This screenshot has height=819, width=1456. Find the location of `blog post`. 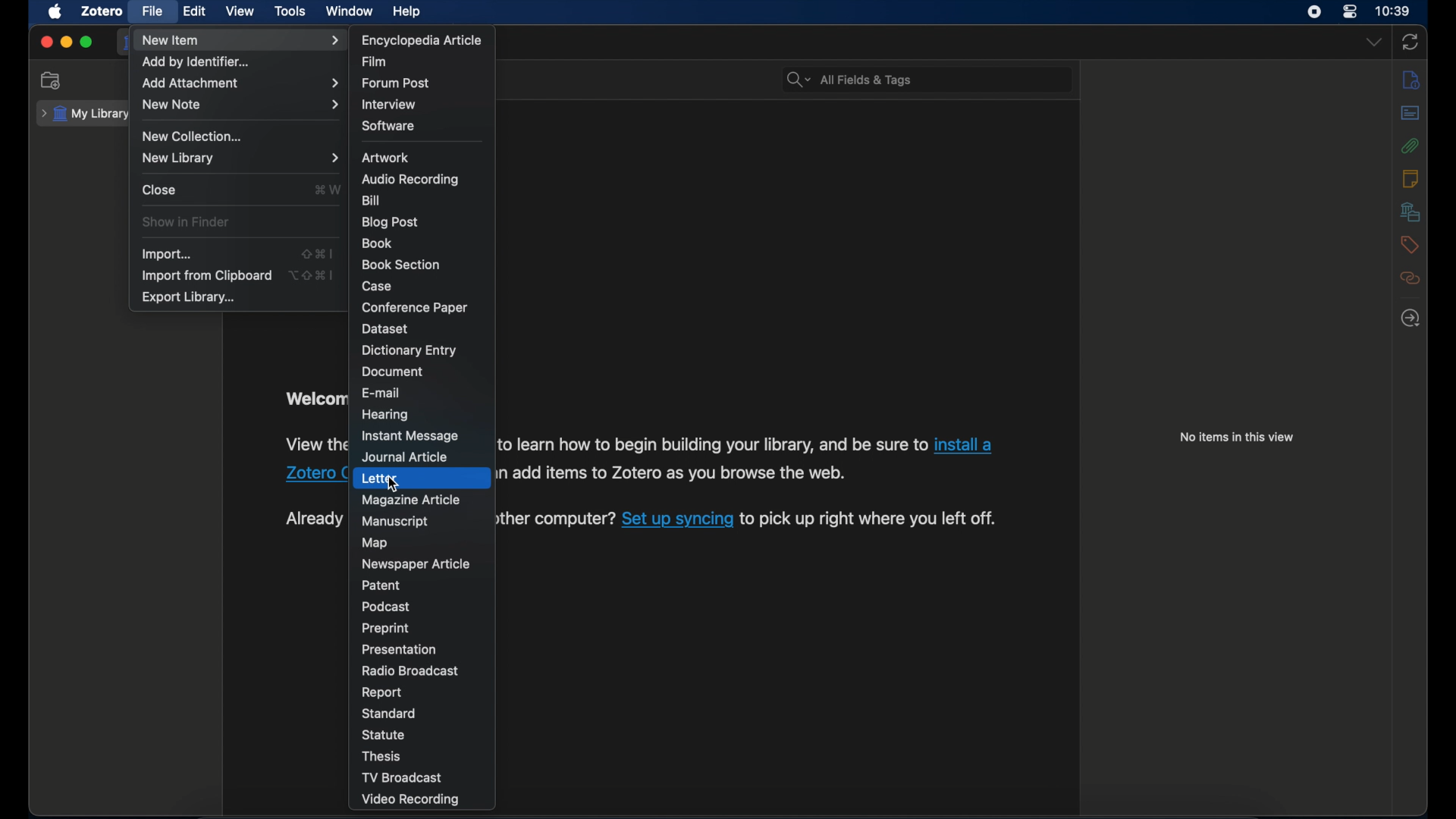

blog post is located at coordinates (392, 222).